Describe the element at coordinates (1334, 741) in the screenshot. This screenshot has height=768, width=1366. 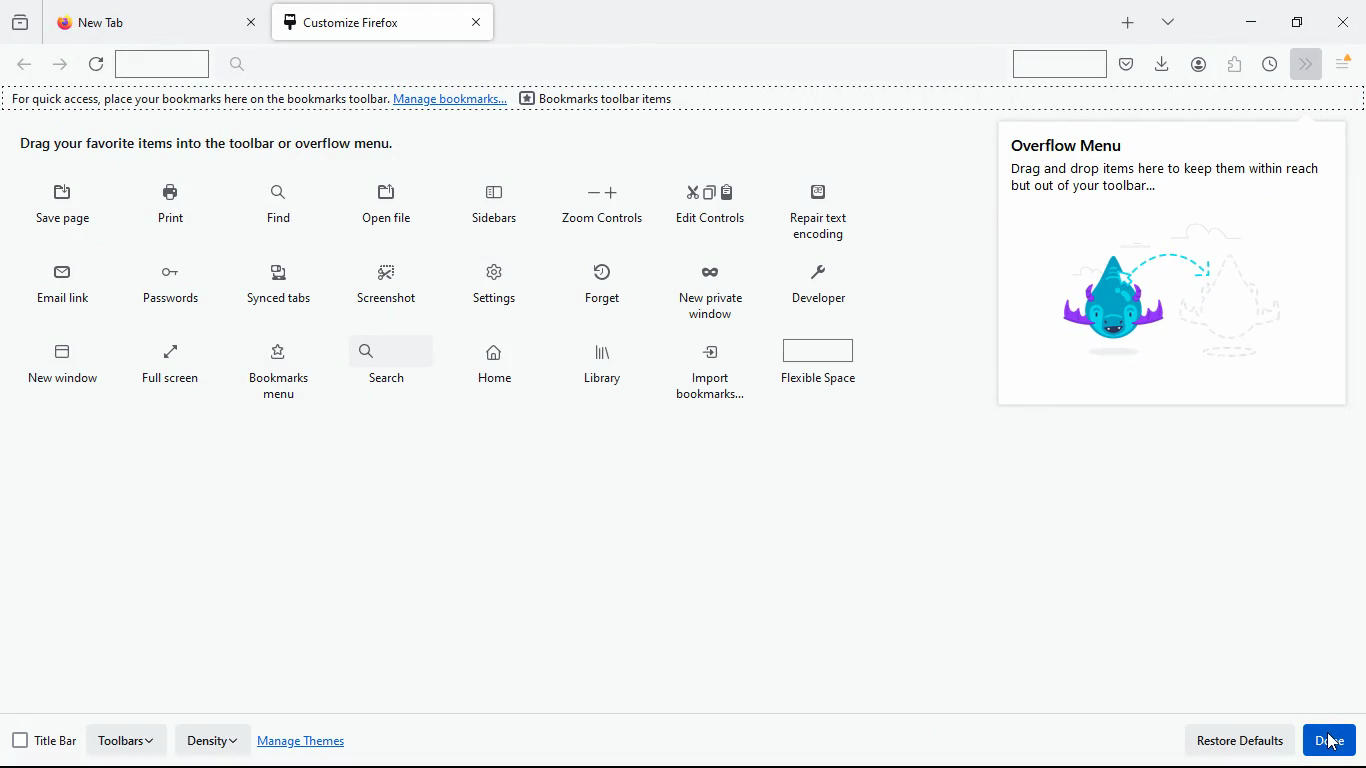
I see `Cursor` at that location.